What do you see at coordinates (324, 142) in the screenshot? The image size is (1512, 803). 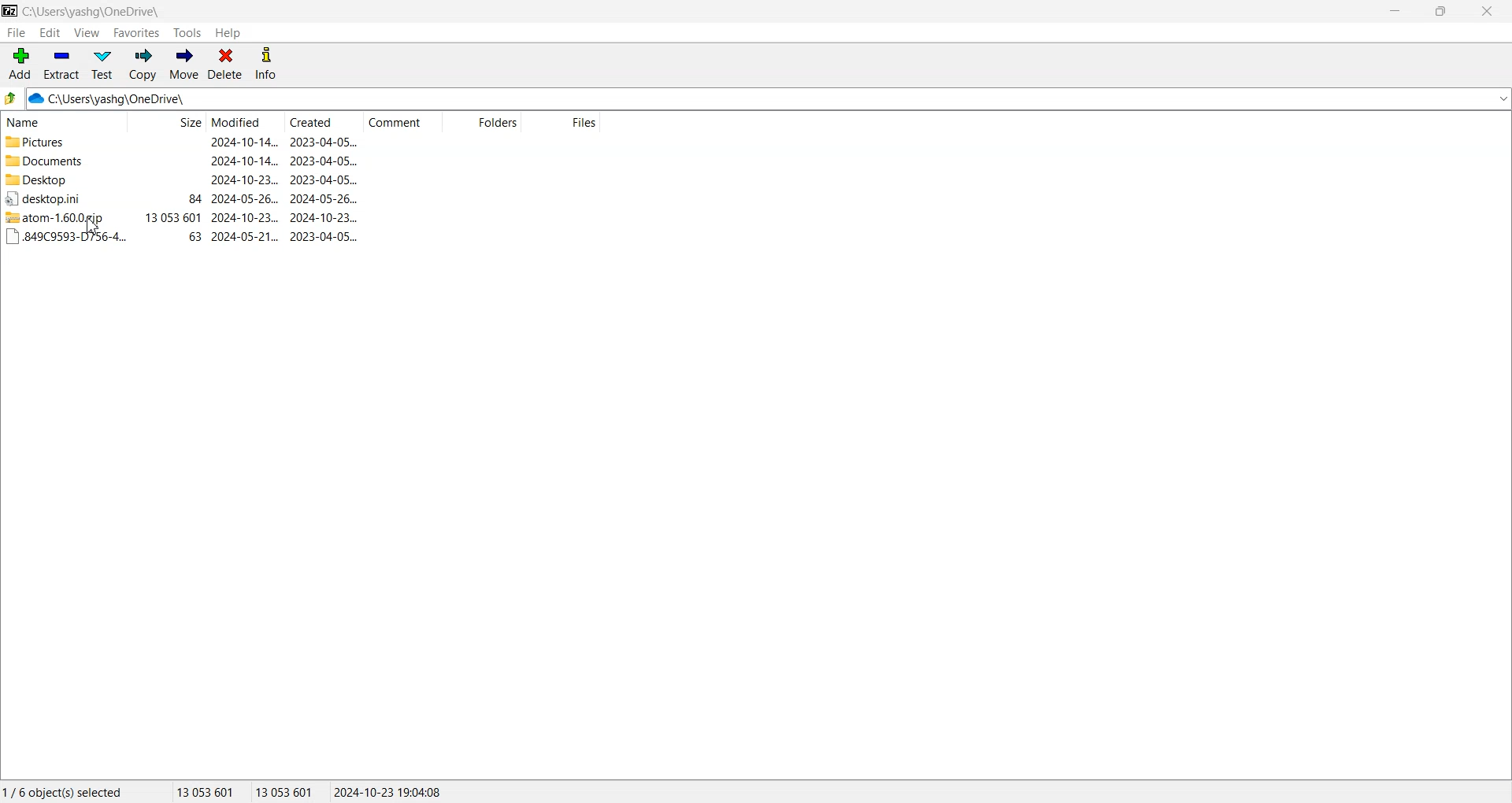 I see `2023-04-05` at bounding box center [324, 142].